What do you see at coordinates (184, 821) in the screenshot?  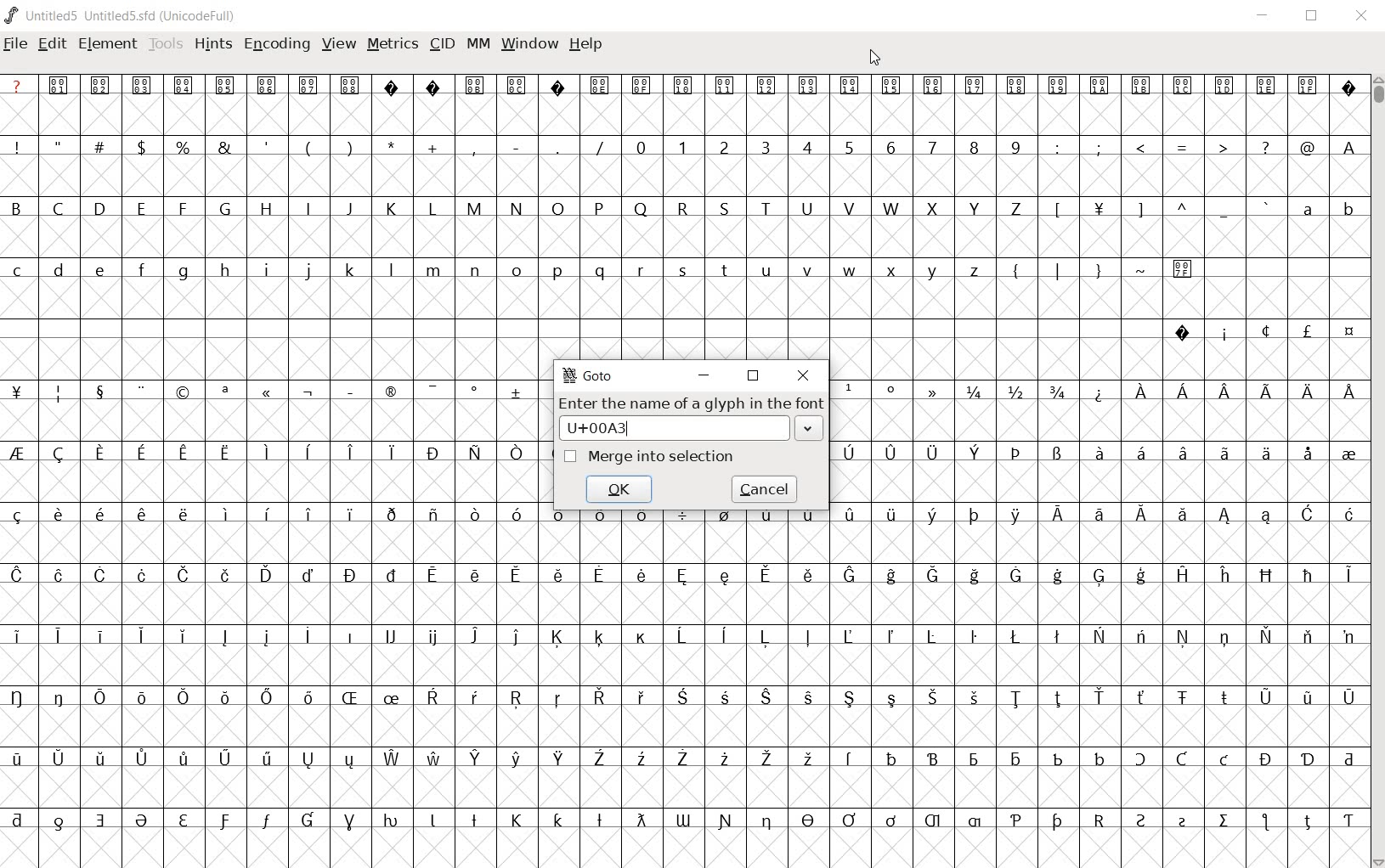 I see `Symbol` at bounding box center [184, 821].